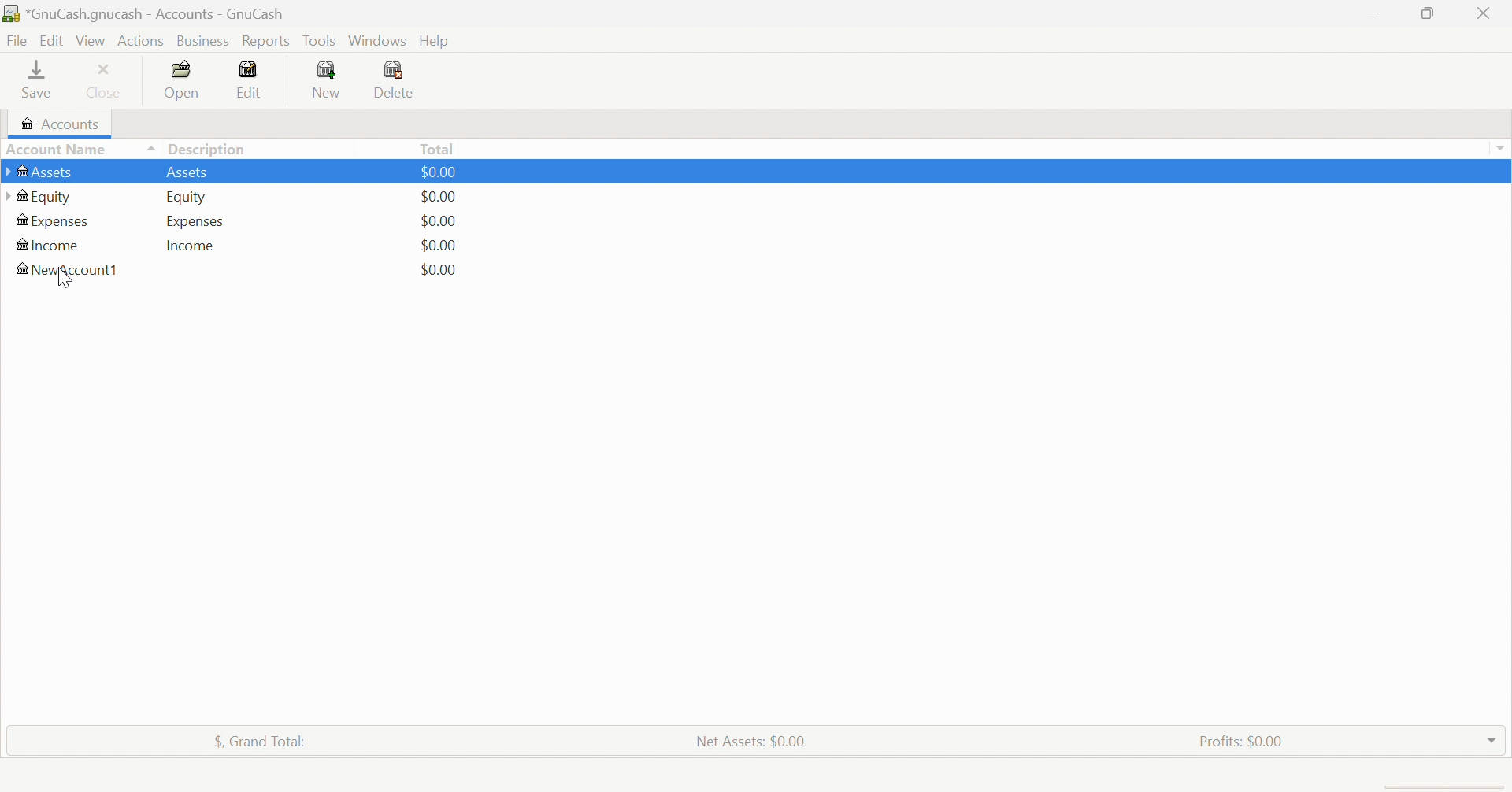  What do you see at coordinates (1373, 13) in the screenshot?
I see `Minimize` at bounding box center [1373, 13].